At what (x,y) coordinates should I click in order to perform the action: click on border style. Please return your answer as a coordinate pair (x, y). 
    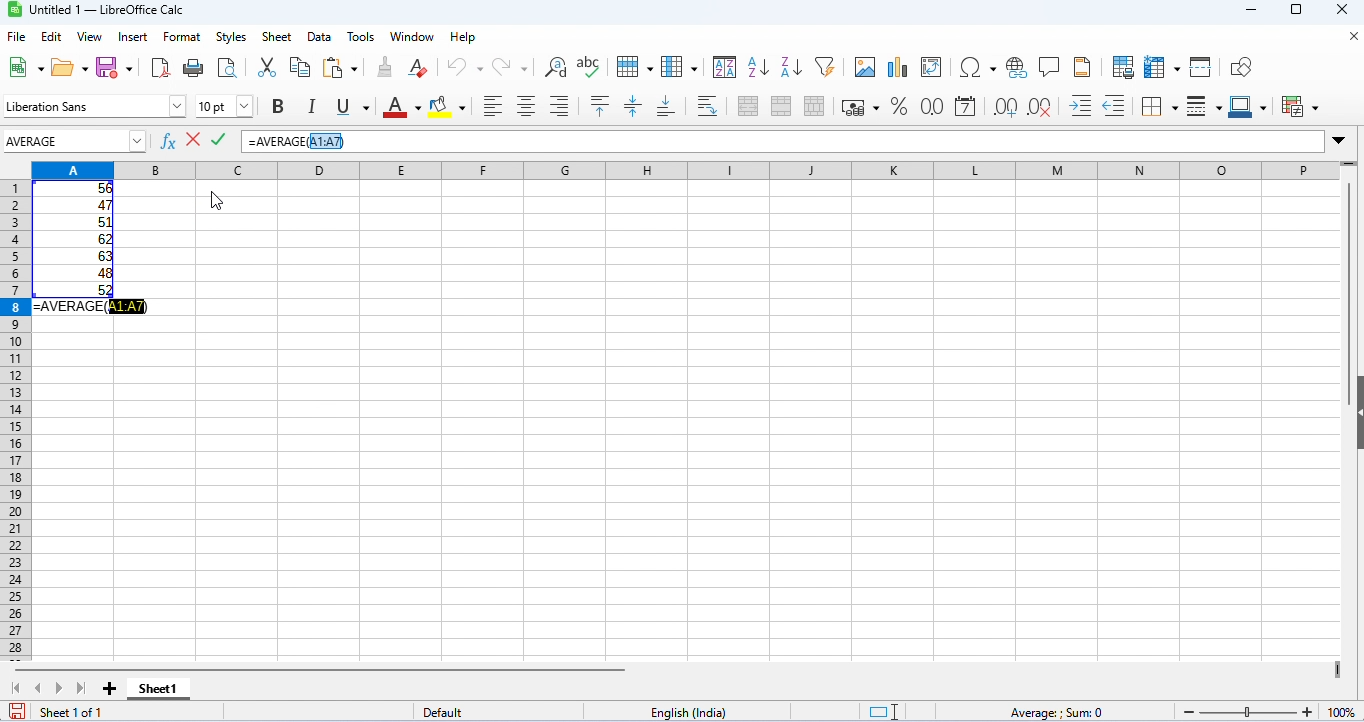
    Looking at the image, I should click on (1204, 107).